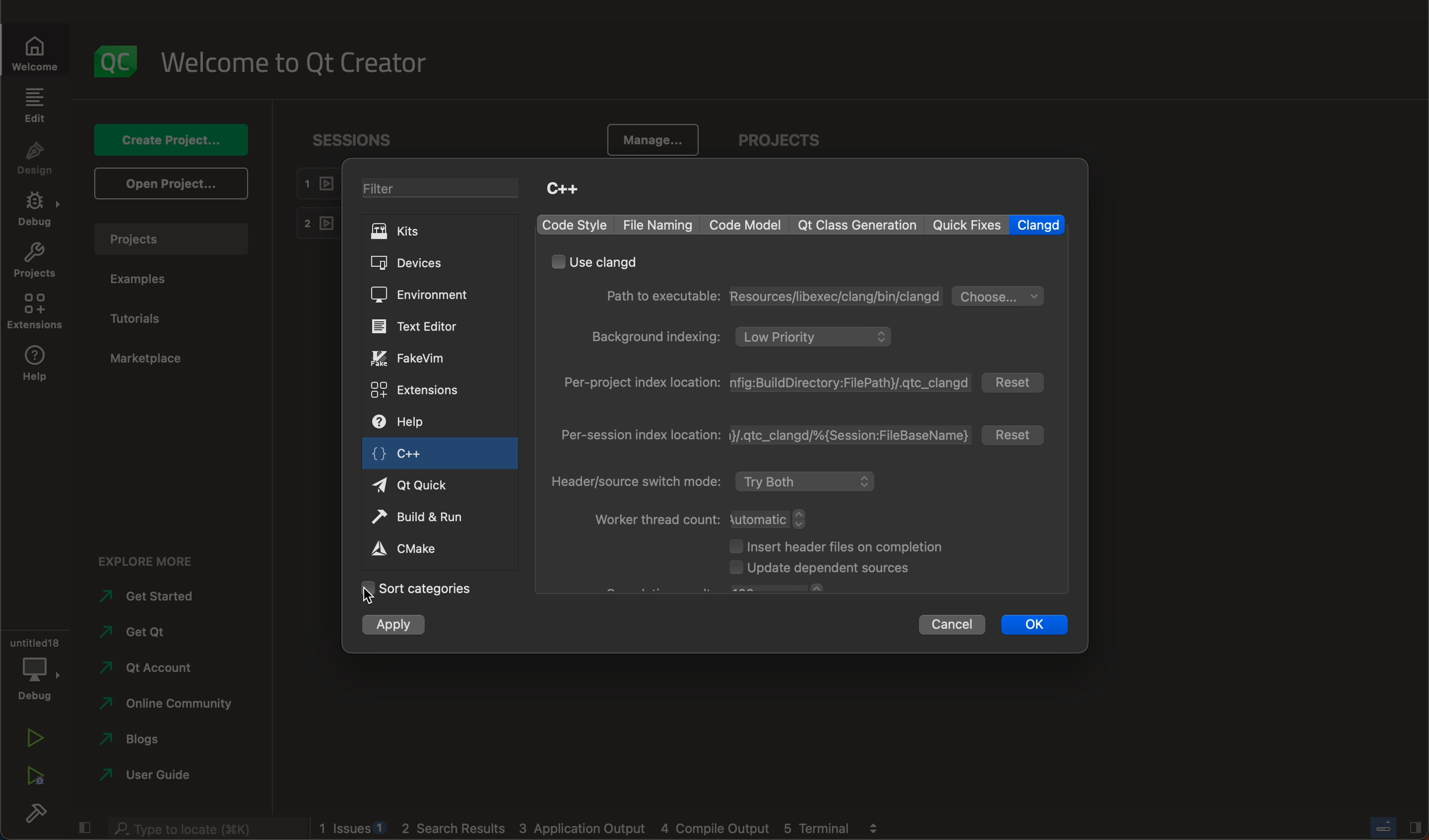 The width and height of the screenshot is (1429, 840). What do you see at coordinates (839, 570) in the screenshot?
I see `update sources` at bounding box center [839, 570].